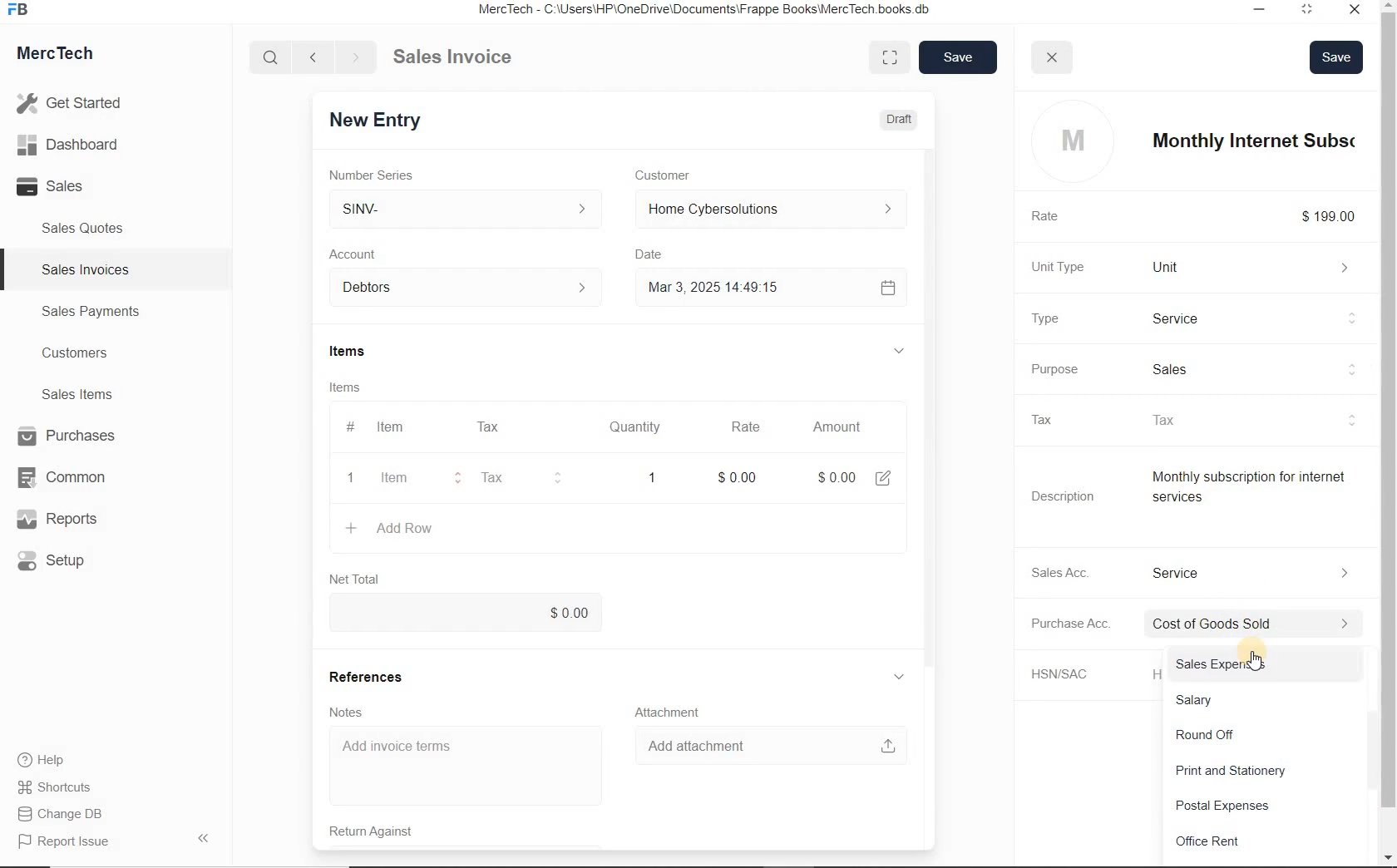 This screenshot has width=1397, height=868. I want to click on tax, so click(1261, 420).